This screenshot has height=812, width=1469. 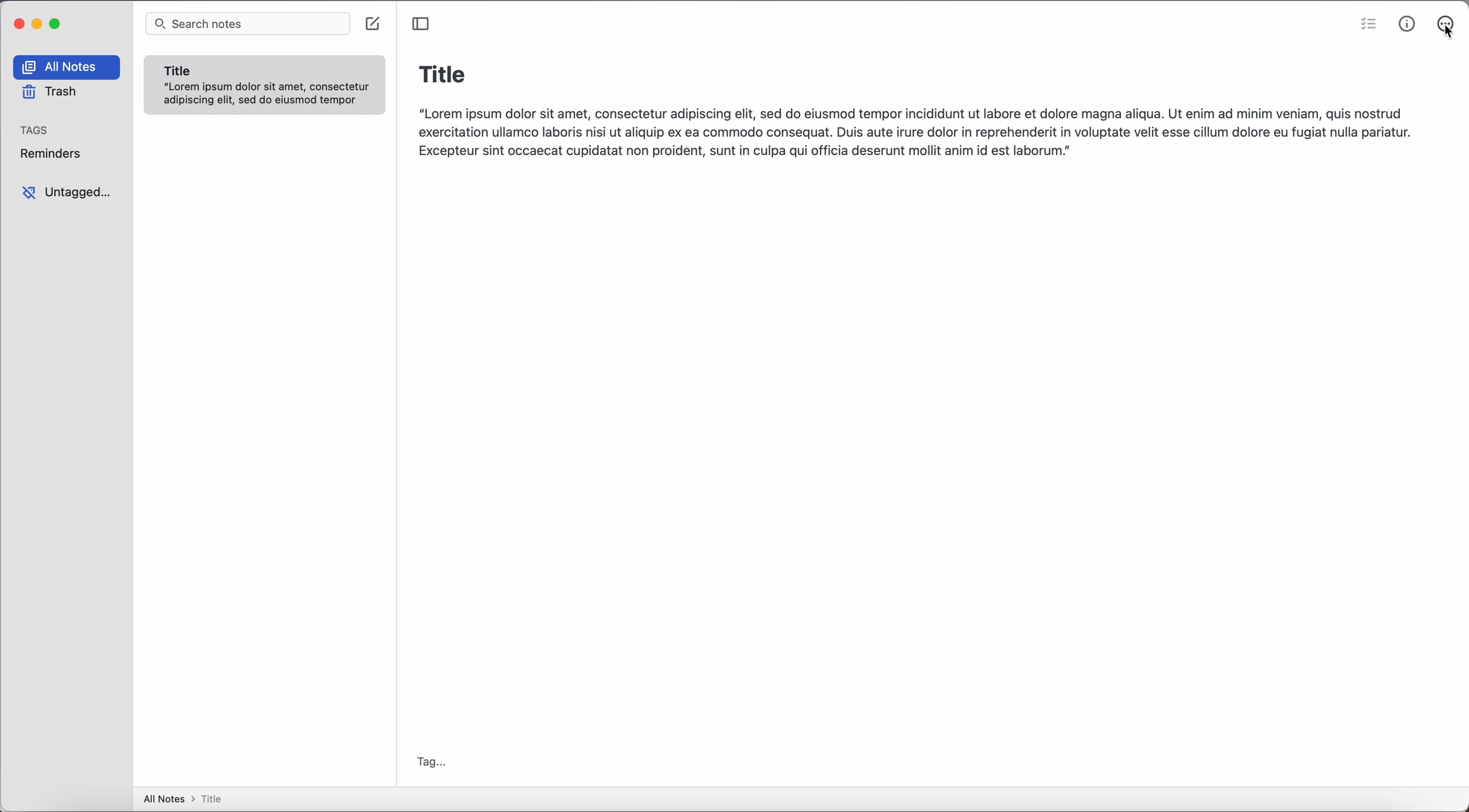 What do you see at coordinates (432, 764) in the screenshot?
I see `tag` at bounding box center [432, 764].